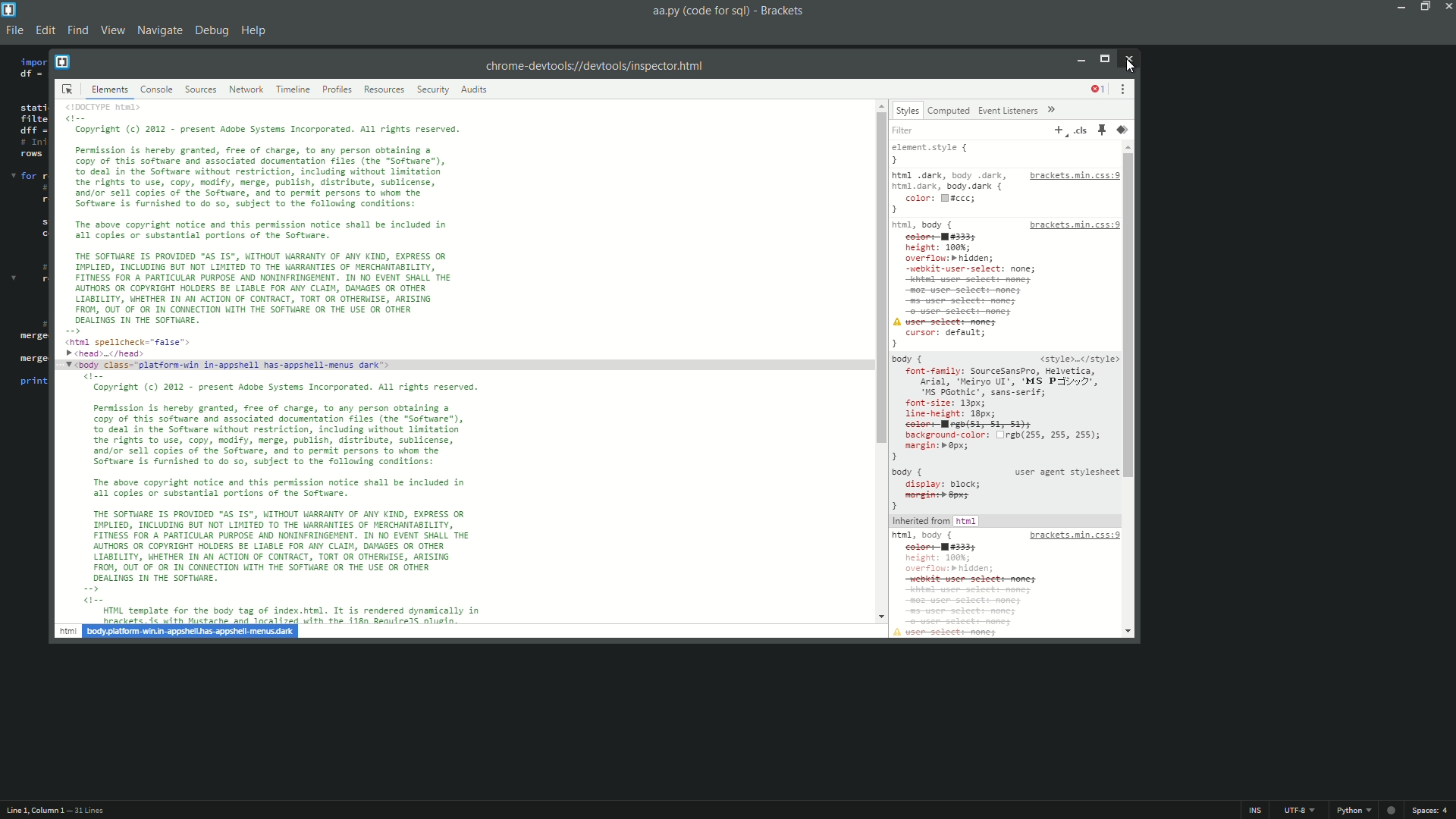  What do you see at coordinates (1299, 810) in the screenshot?
I see `UTF-8` at bounding box center [1299, 810].